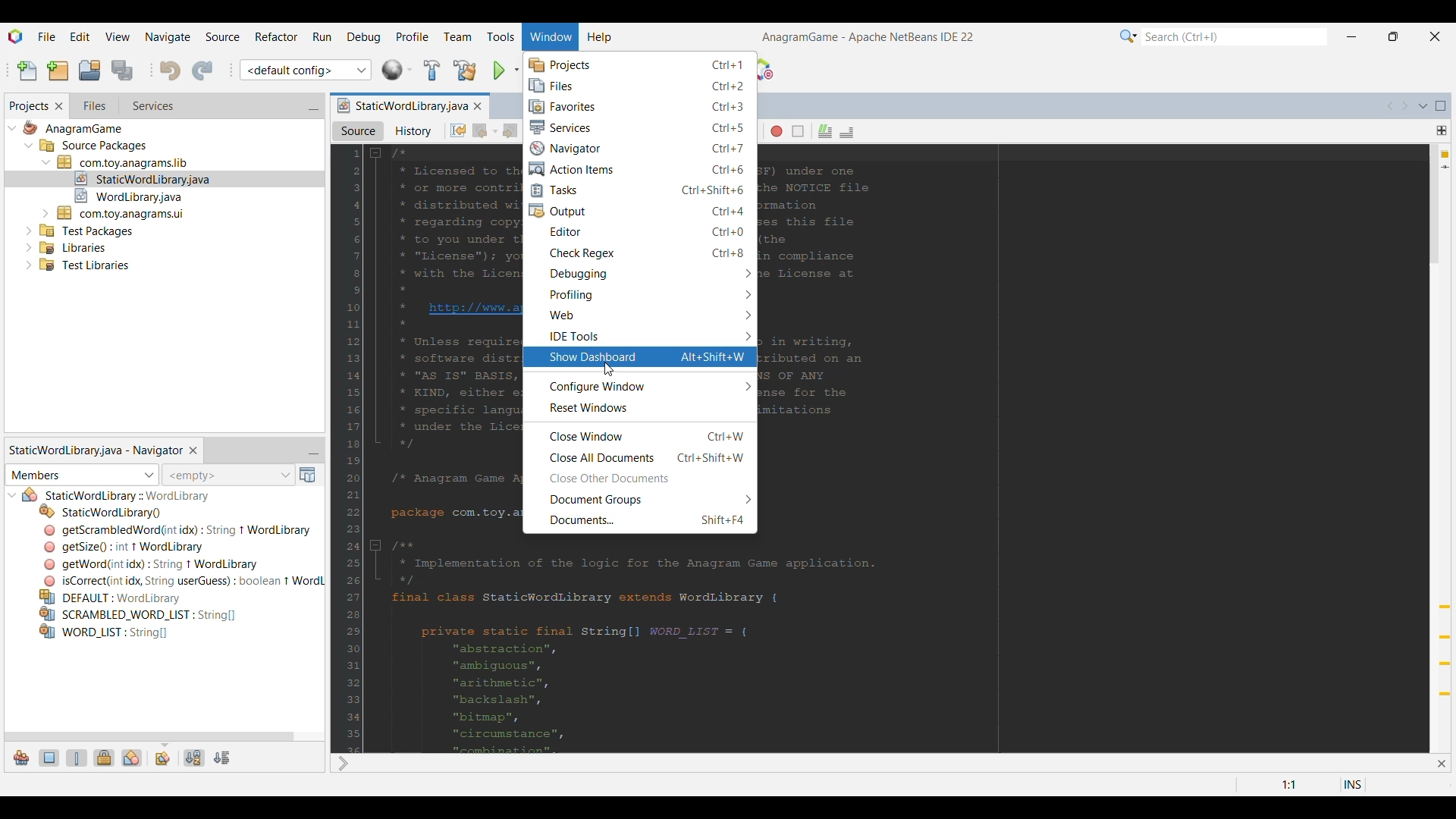  What do you see at coordinates (1351, 37) in the screenshot?
I see `Minimize` at bounding box center [1351, 37].